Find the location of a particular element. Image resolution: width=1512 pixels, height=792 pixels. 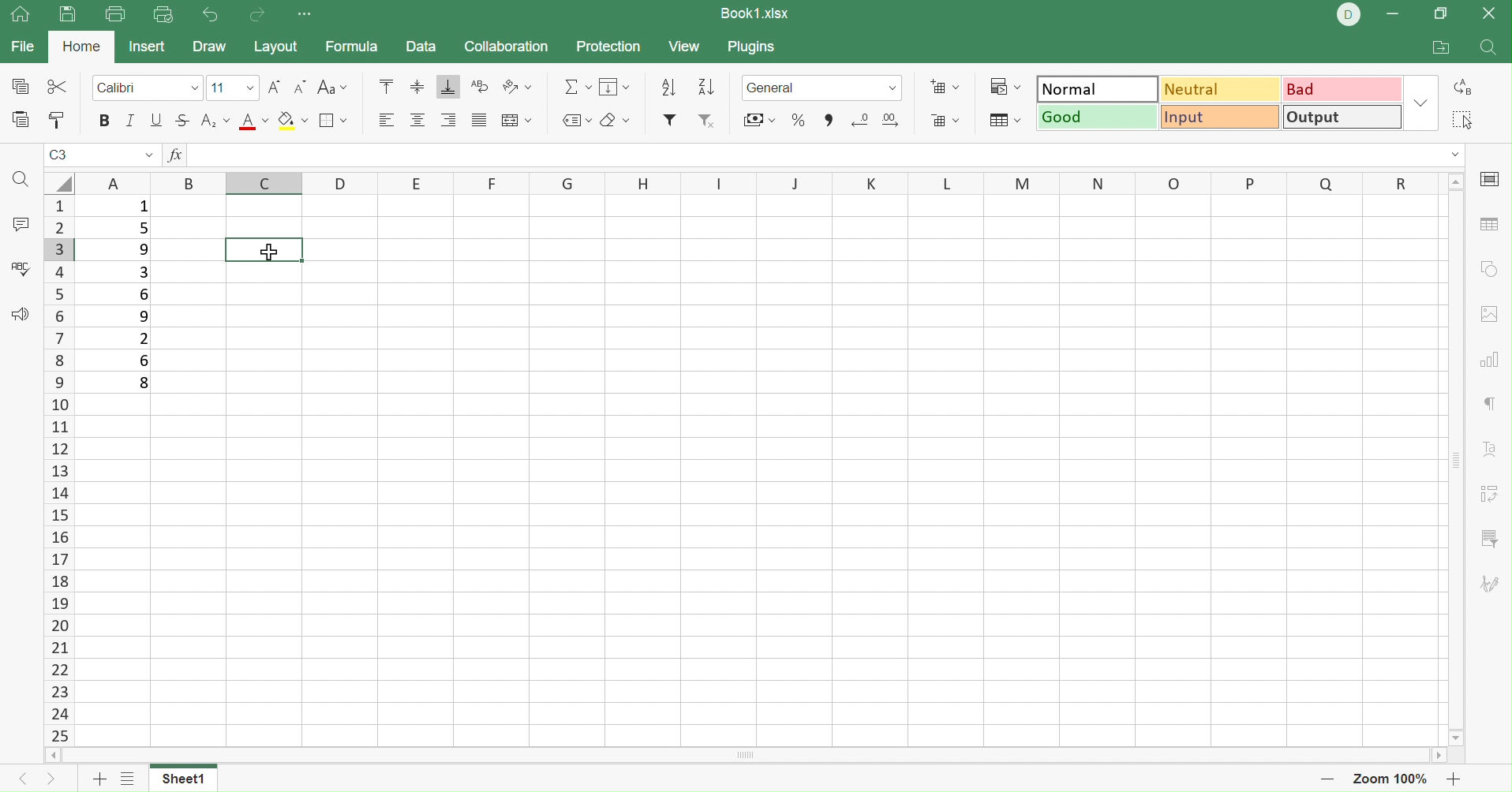

Data is located at coordinates (421, 46).